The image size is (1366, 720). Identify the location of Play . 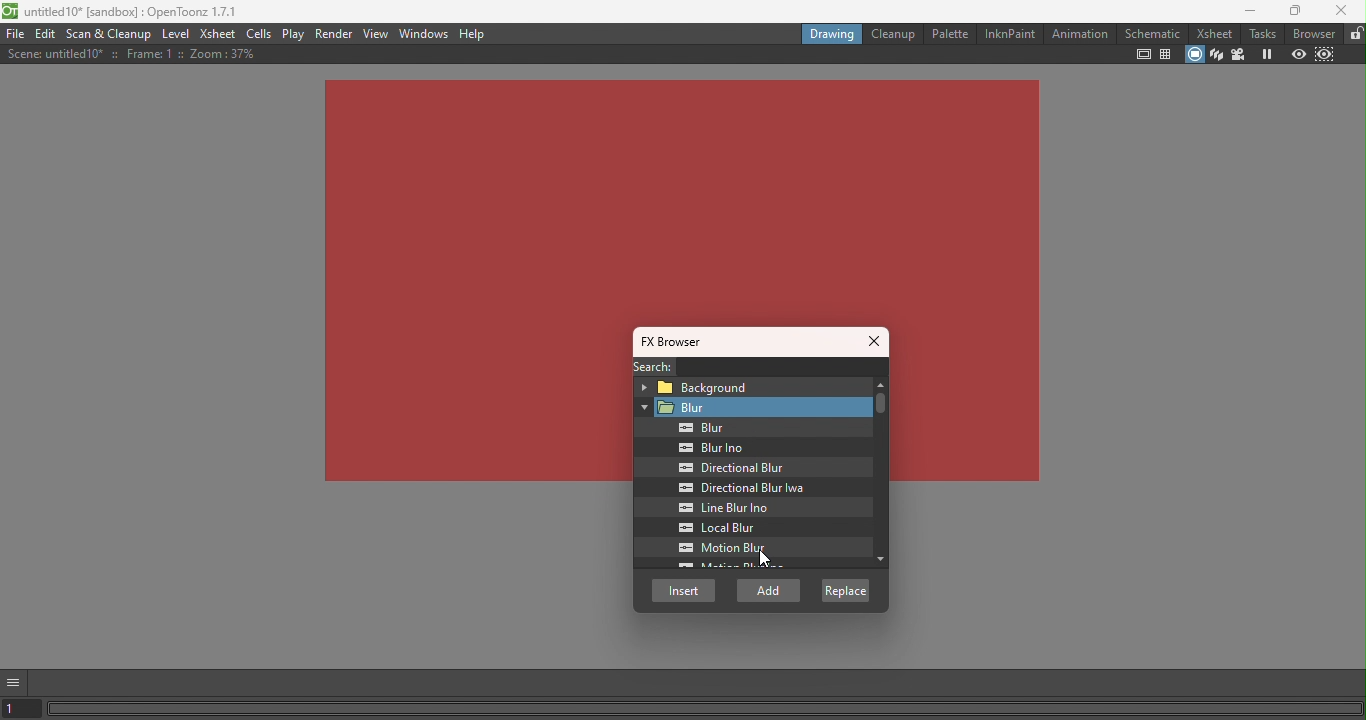
(295, 34).